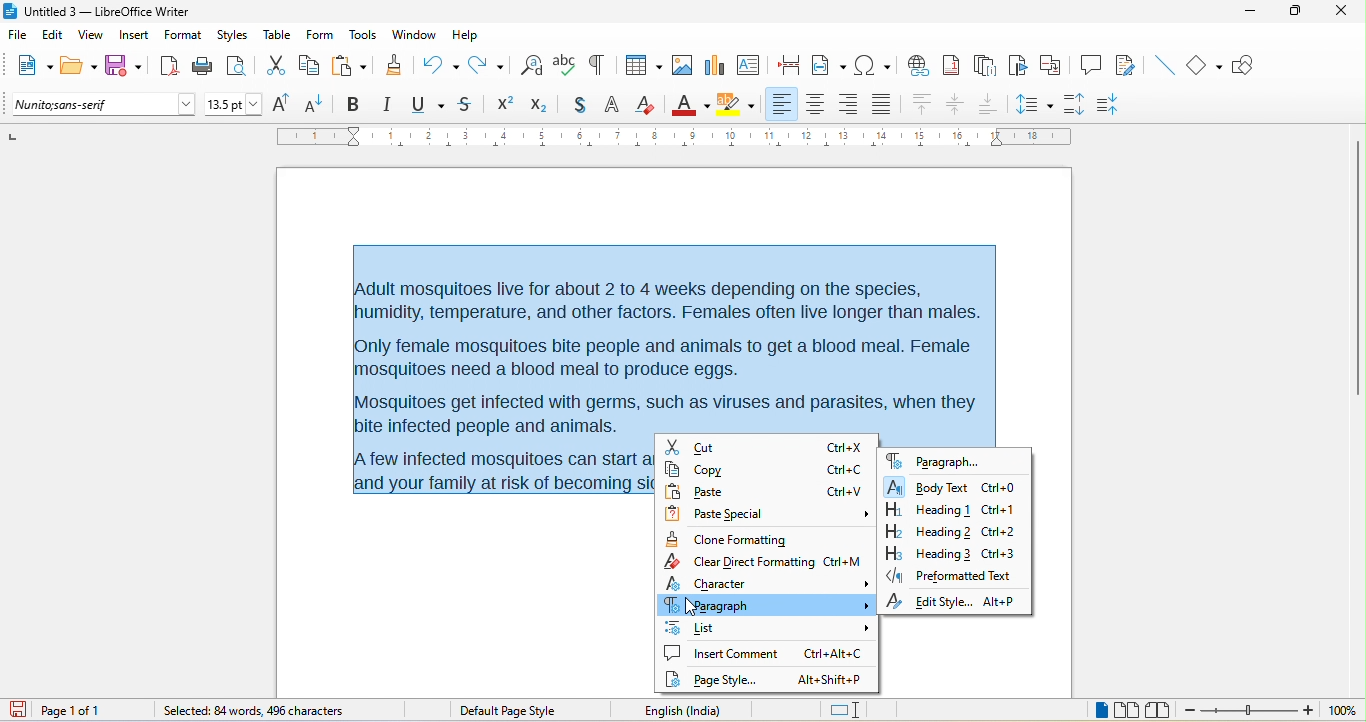  Describe the element at coordinates (675, 136) in the screenshot. I see `ruler` at that location.